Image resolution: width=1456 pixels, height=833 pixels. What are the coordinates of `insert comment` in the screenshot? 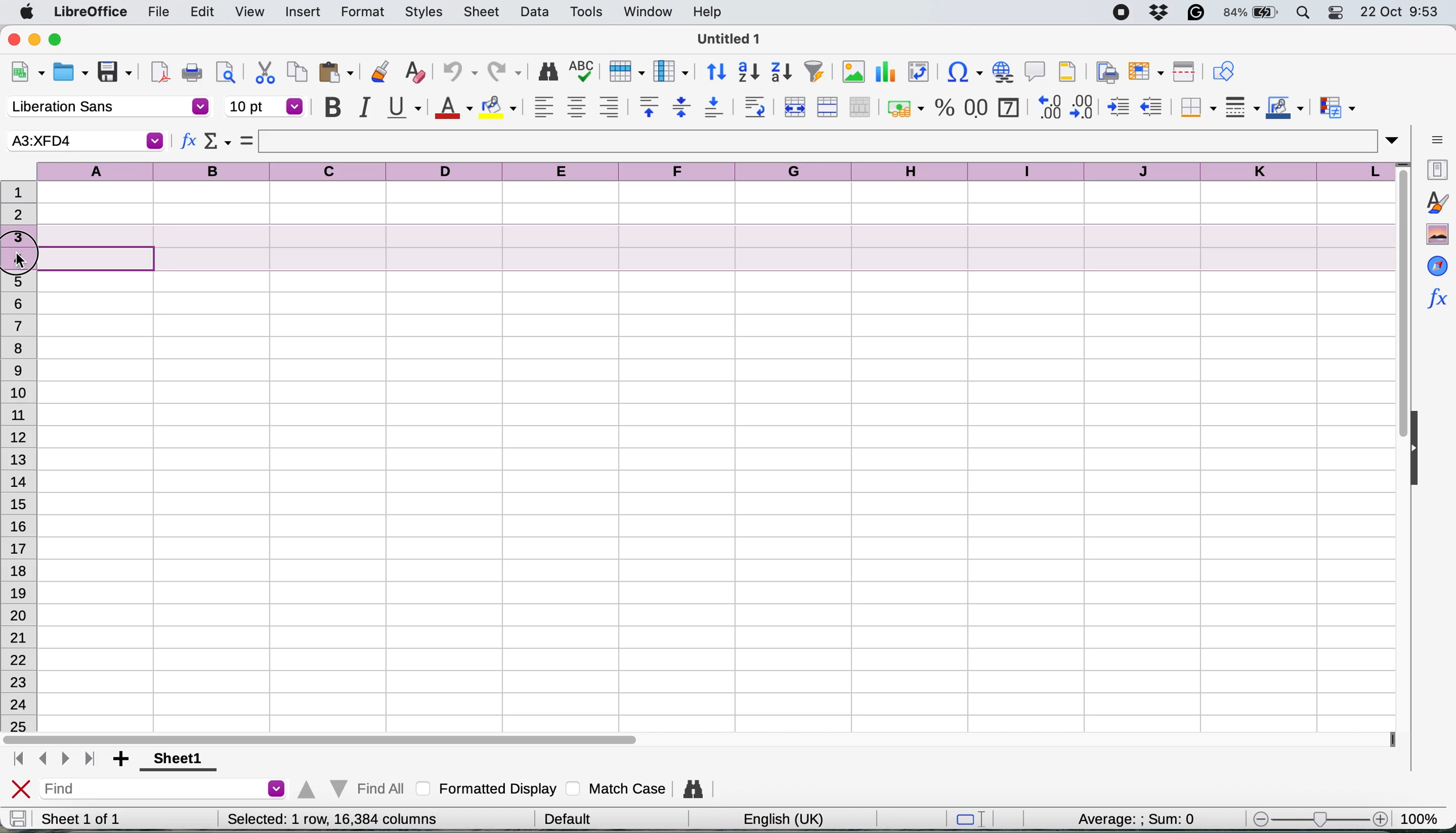 It's located at (1036, 71).